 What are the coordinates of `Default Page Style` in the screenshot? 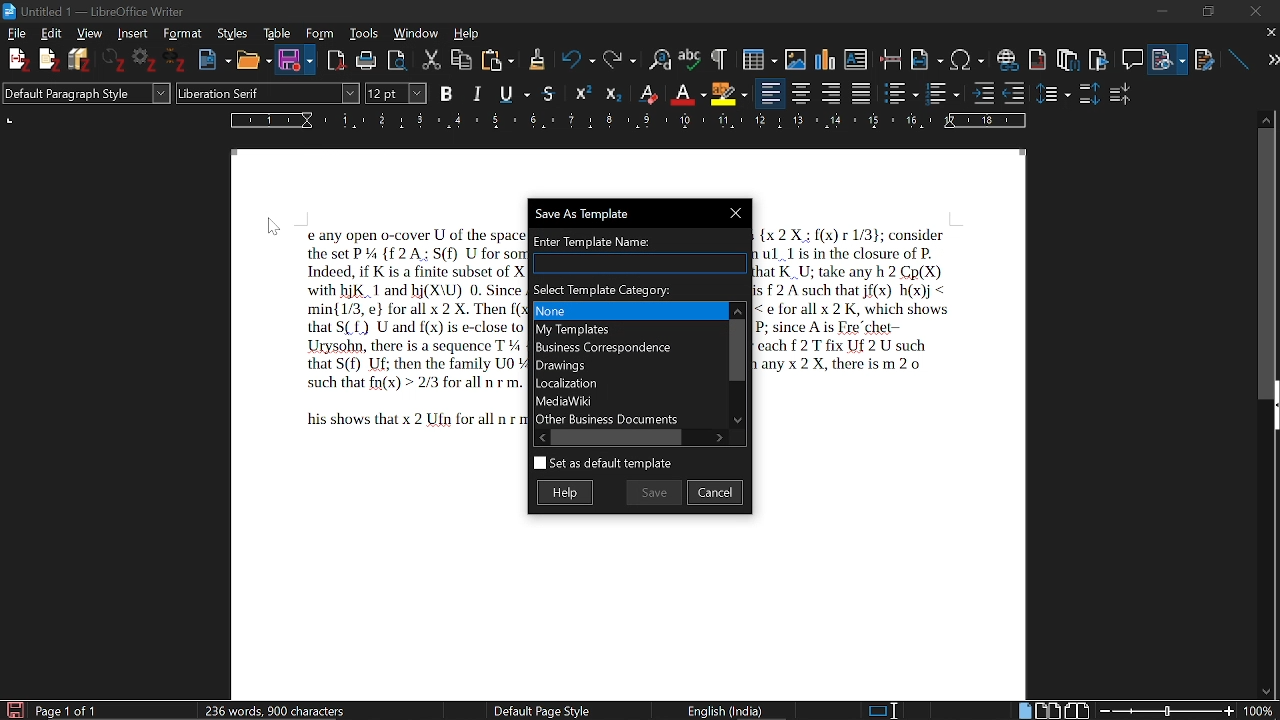 It's located at (541, 710).